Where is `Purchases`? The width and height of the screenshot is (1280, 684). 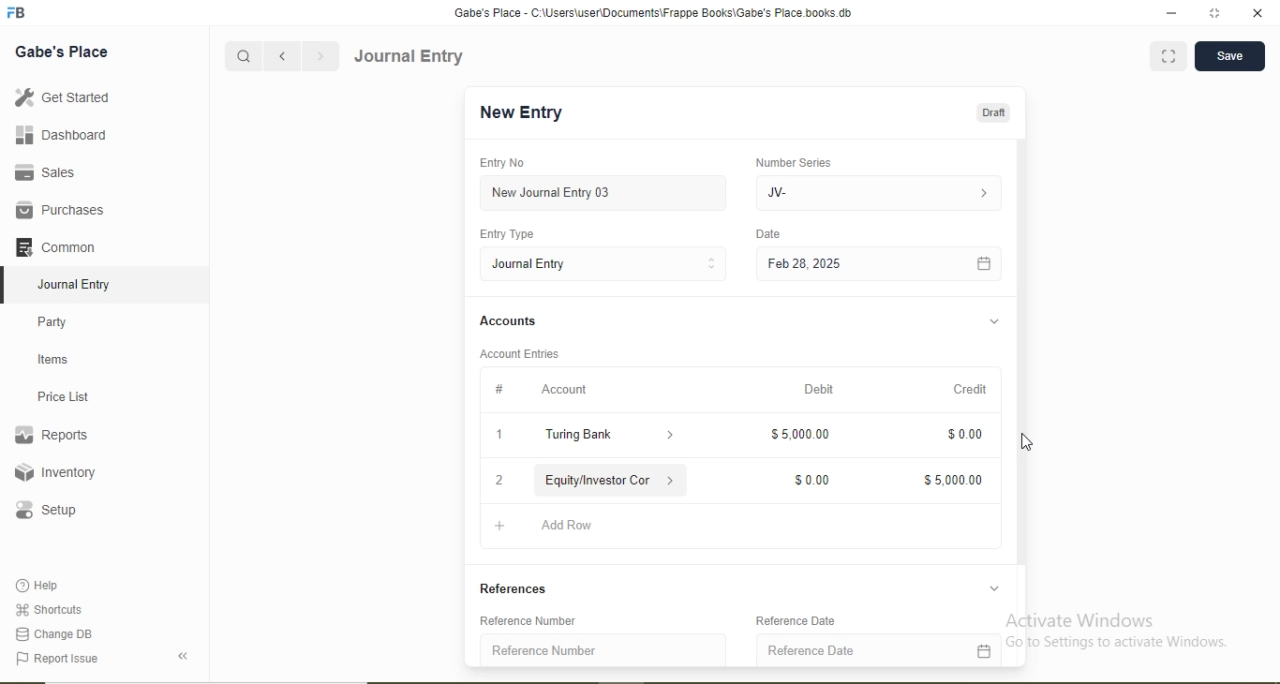
Purchases is located at coordinates (59, 210).